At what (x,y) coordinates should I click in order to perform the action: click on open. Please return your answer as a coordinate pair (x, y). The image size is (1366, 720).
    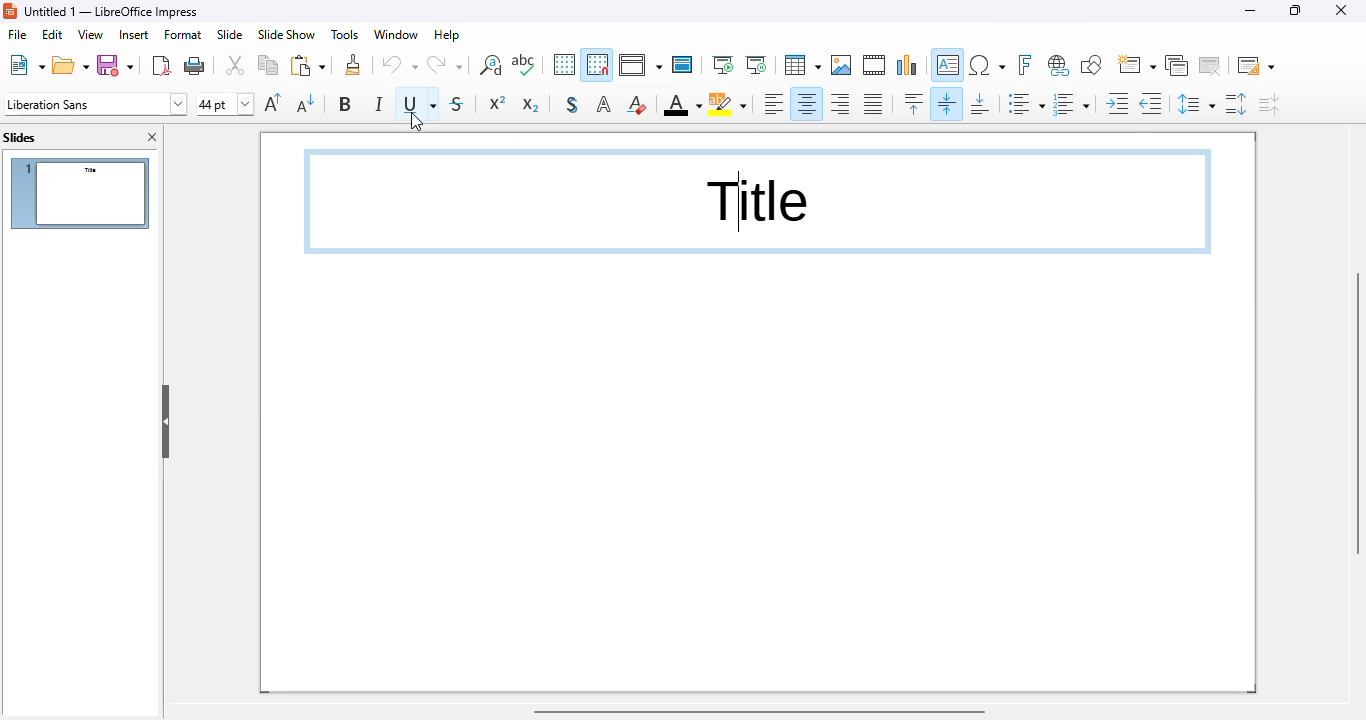
    Looking at the image, I should click on (70, 65).